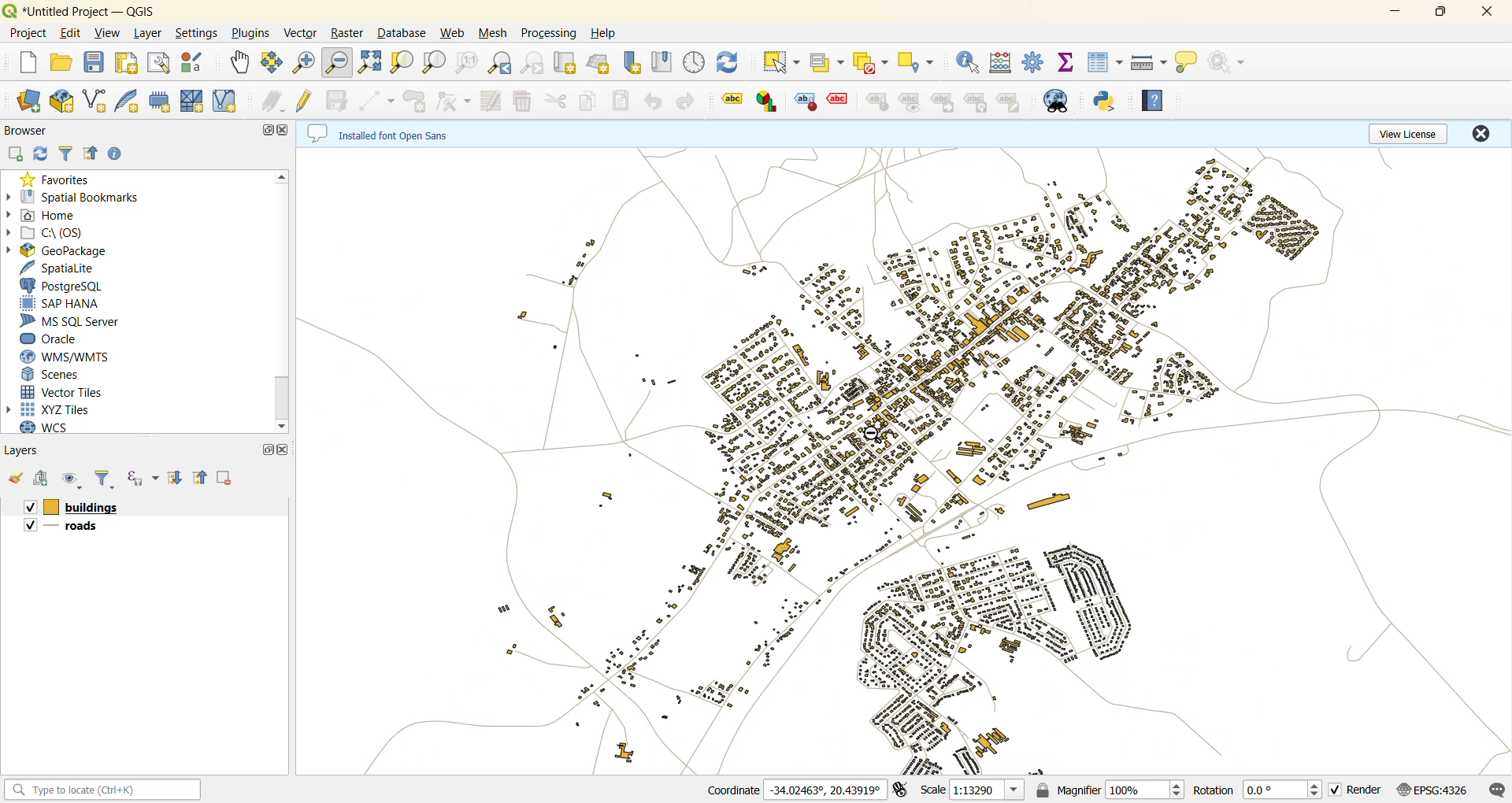  What do you see at coordinates (1186, 62) in the screenshot?
I see `show tips` at bounding box center [1186, 62].